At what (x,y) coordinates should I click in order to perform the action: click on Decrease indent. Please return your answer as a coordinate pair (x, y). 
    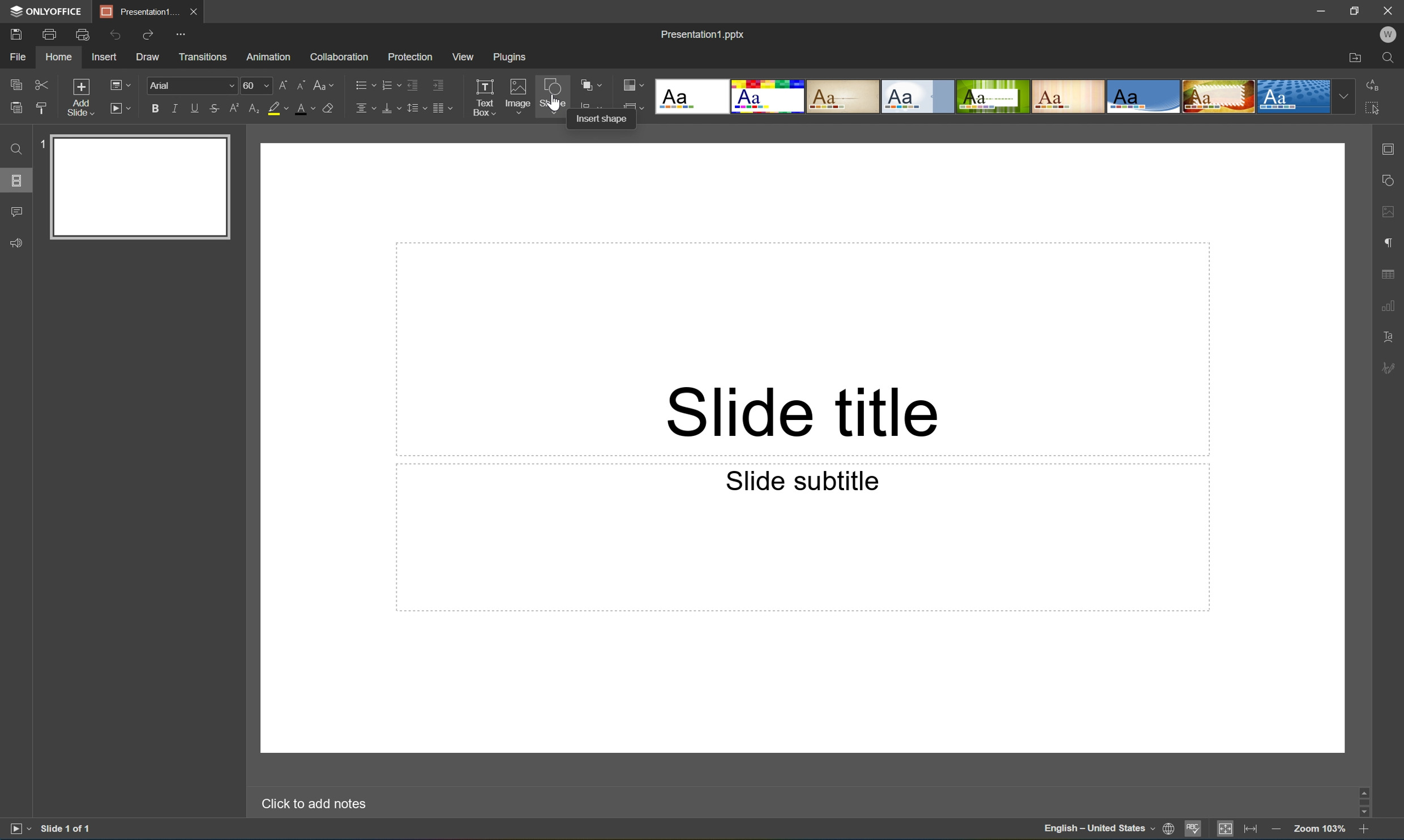
    Looking at the image, I should click on (413, 83).